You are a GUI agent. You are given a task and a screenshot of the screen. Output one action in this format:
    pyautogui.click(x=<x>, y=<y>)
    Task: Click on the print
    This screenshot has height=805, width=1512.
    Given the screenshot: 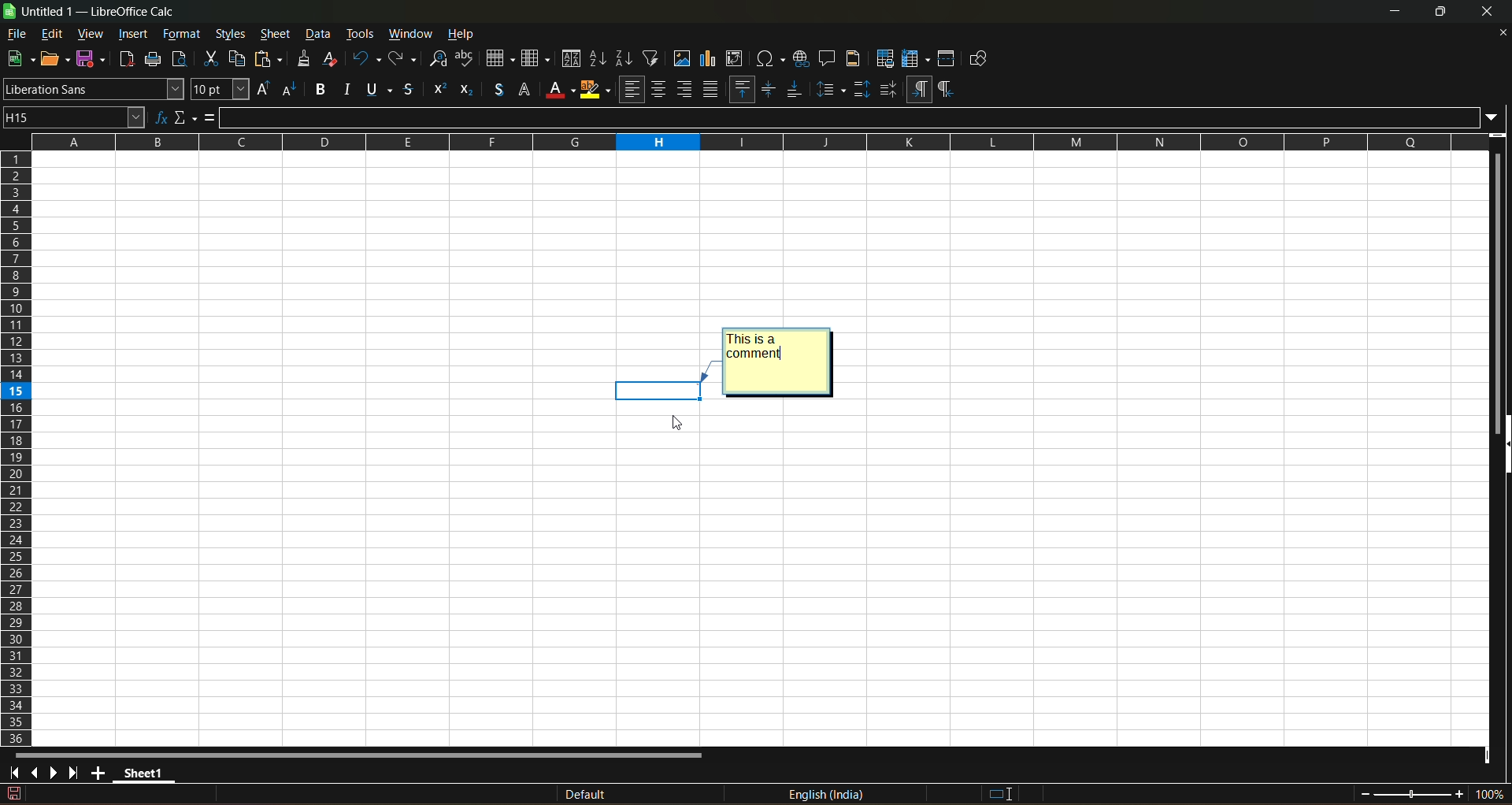 What is the action you would take?
    pyautogui.click(x=154, y=59)
    